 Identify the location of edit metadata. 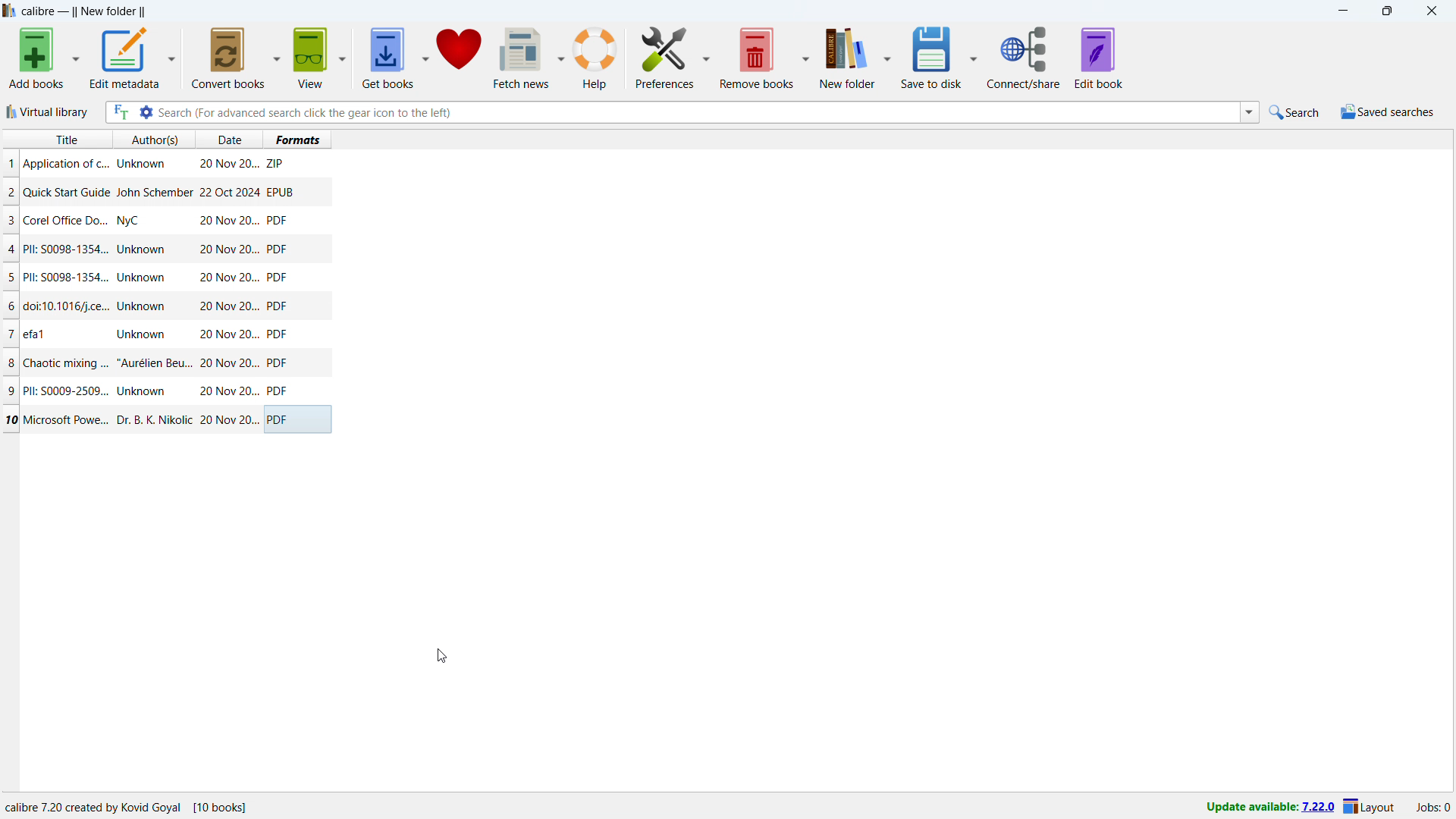
(125, 57).